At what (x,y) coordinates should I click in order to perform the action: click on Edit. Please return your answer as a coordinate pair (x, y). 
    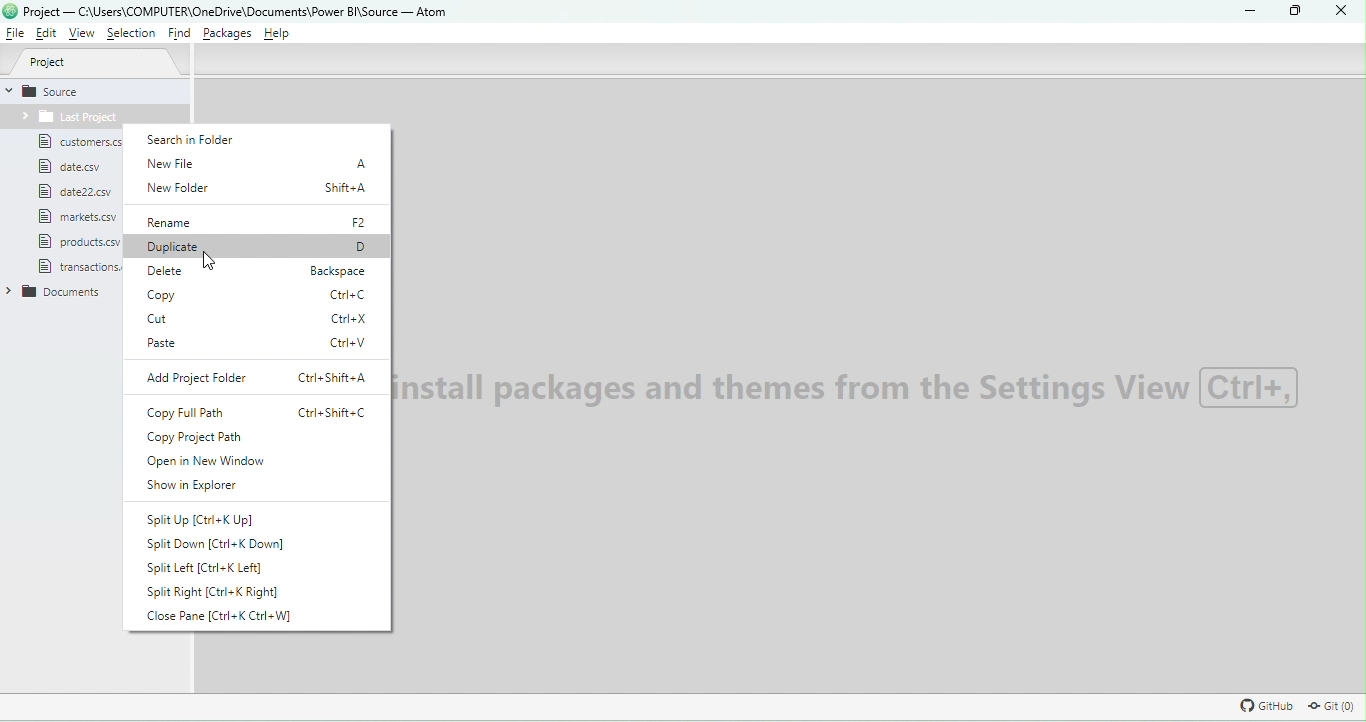
    Looking at the image, I should click on (46, 35).